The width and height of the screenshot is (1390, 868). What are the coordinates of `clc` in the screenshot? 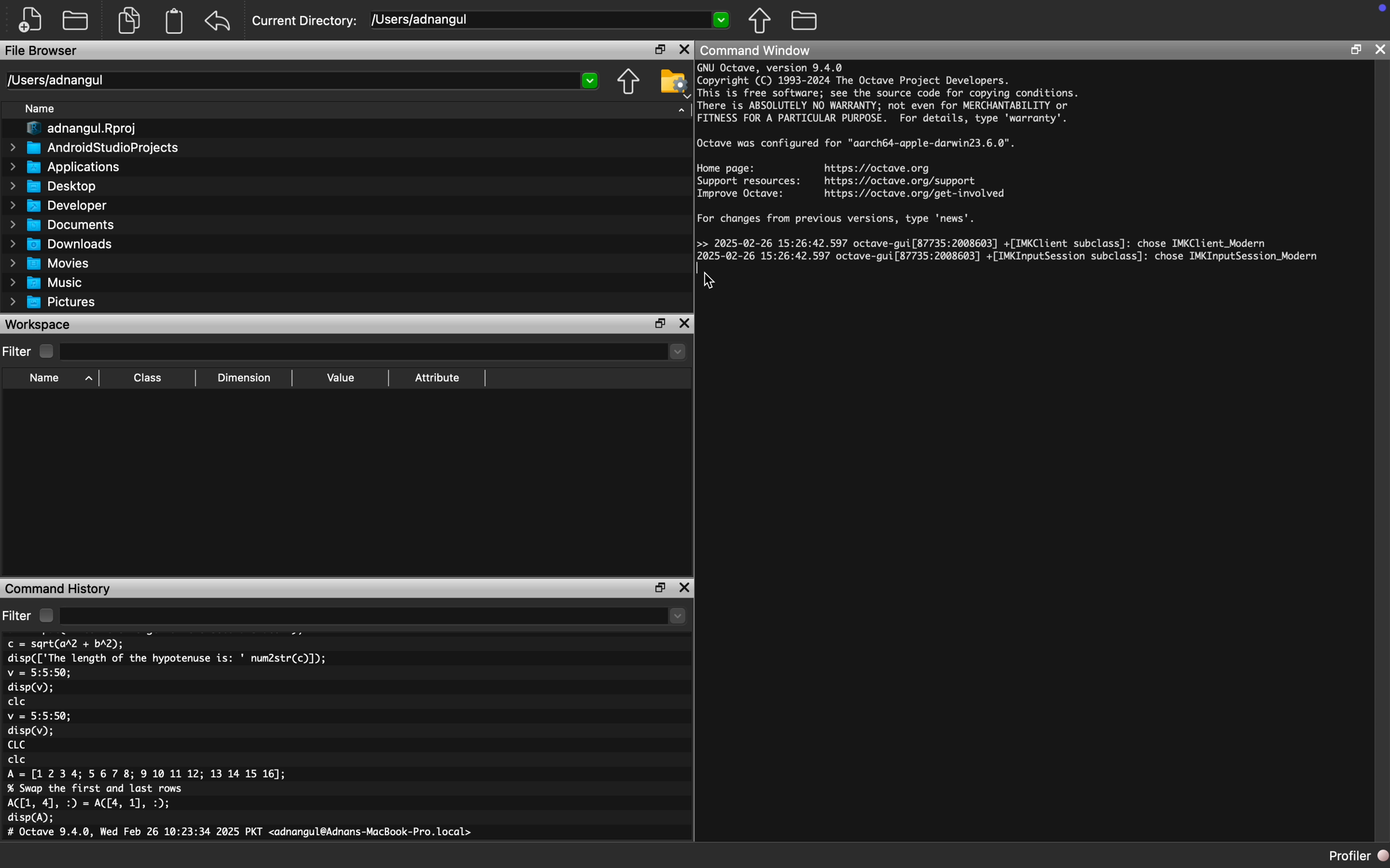 It's located at (17, 702).